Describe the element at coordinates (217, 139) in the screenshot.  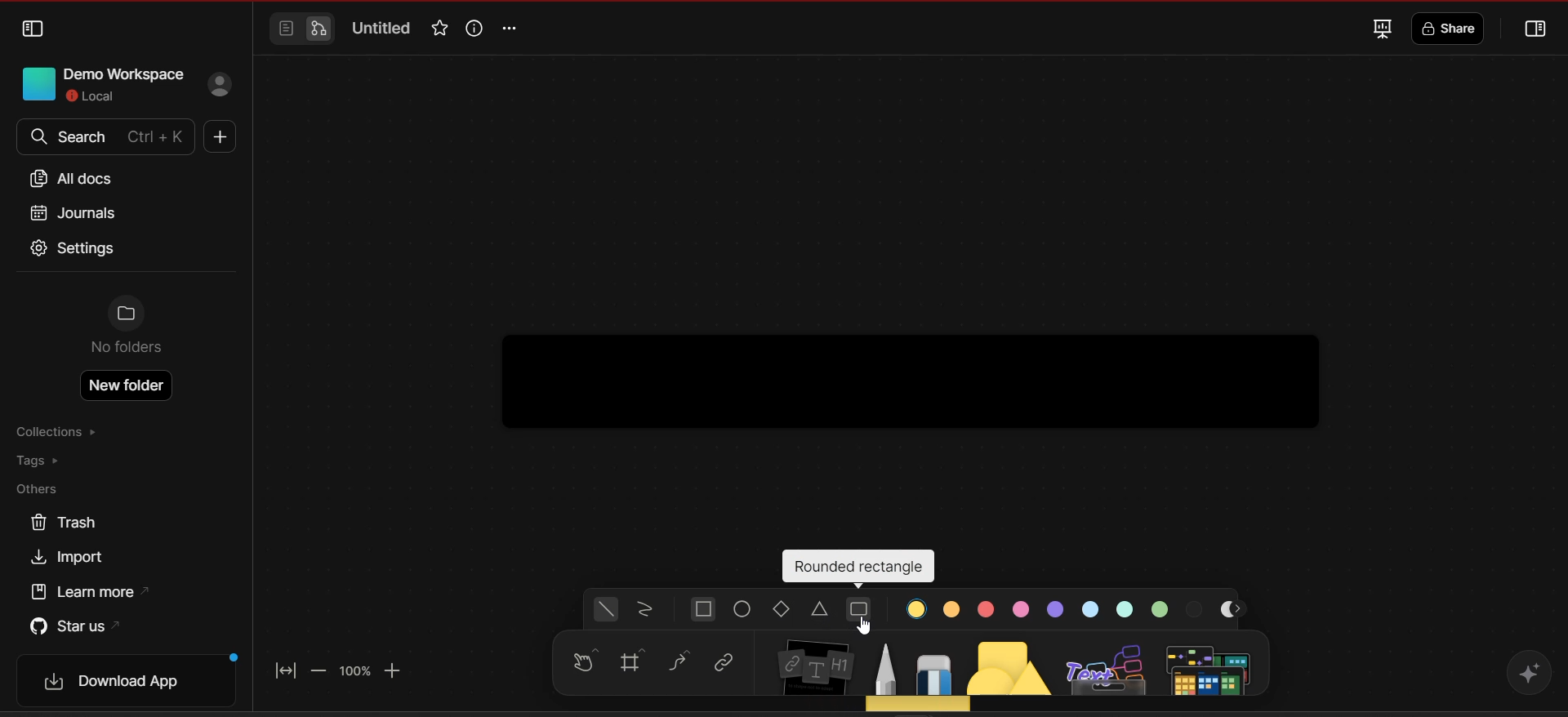
I see `new doc` at that location.